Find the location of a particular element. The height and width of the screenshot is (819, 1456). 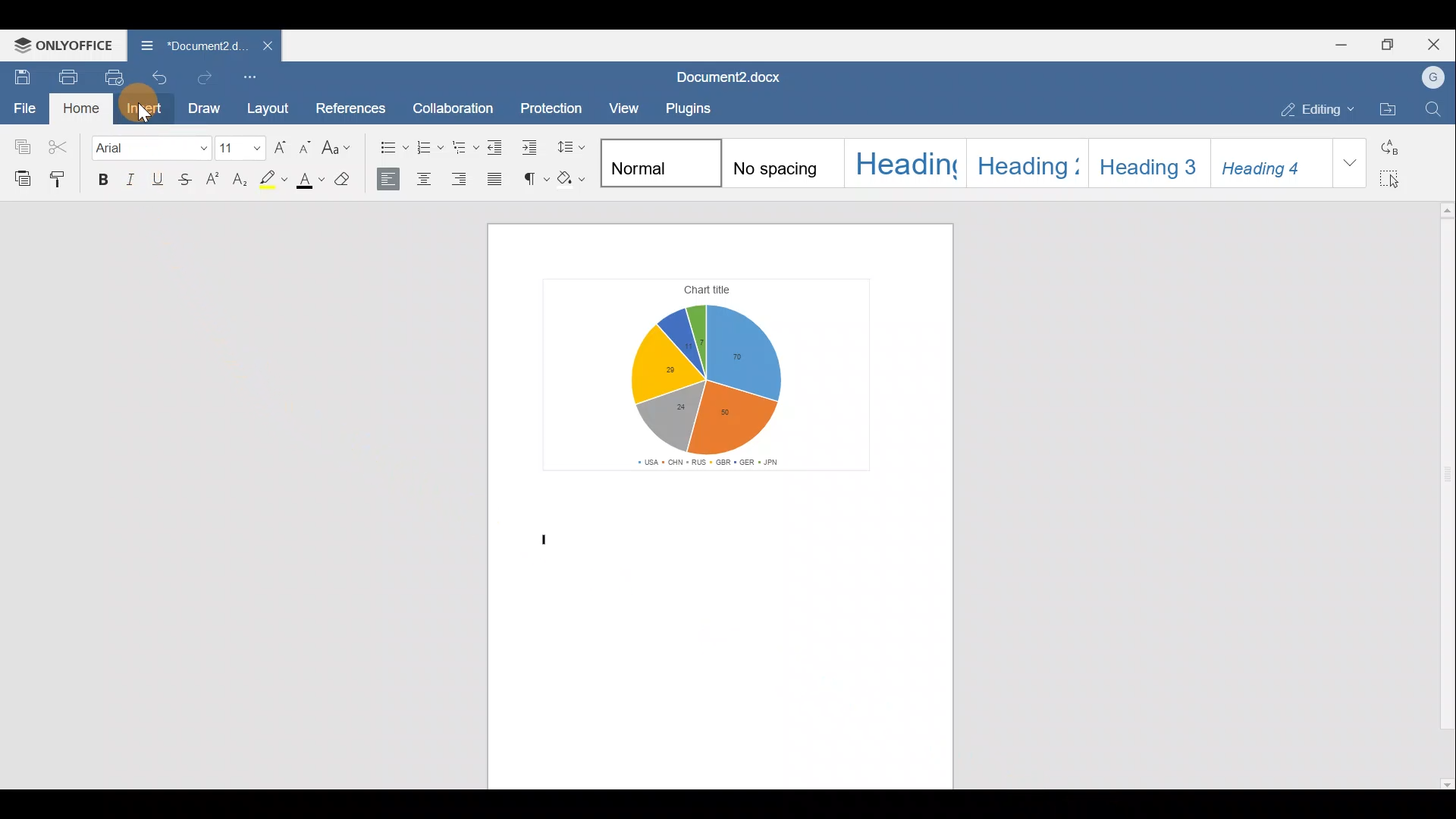

Replace is located at coordinates (1392, 145).